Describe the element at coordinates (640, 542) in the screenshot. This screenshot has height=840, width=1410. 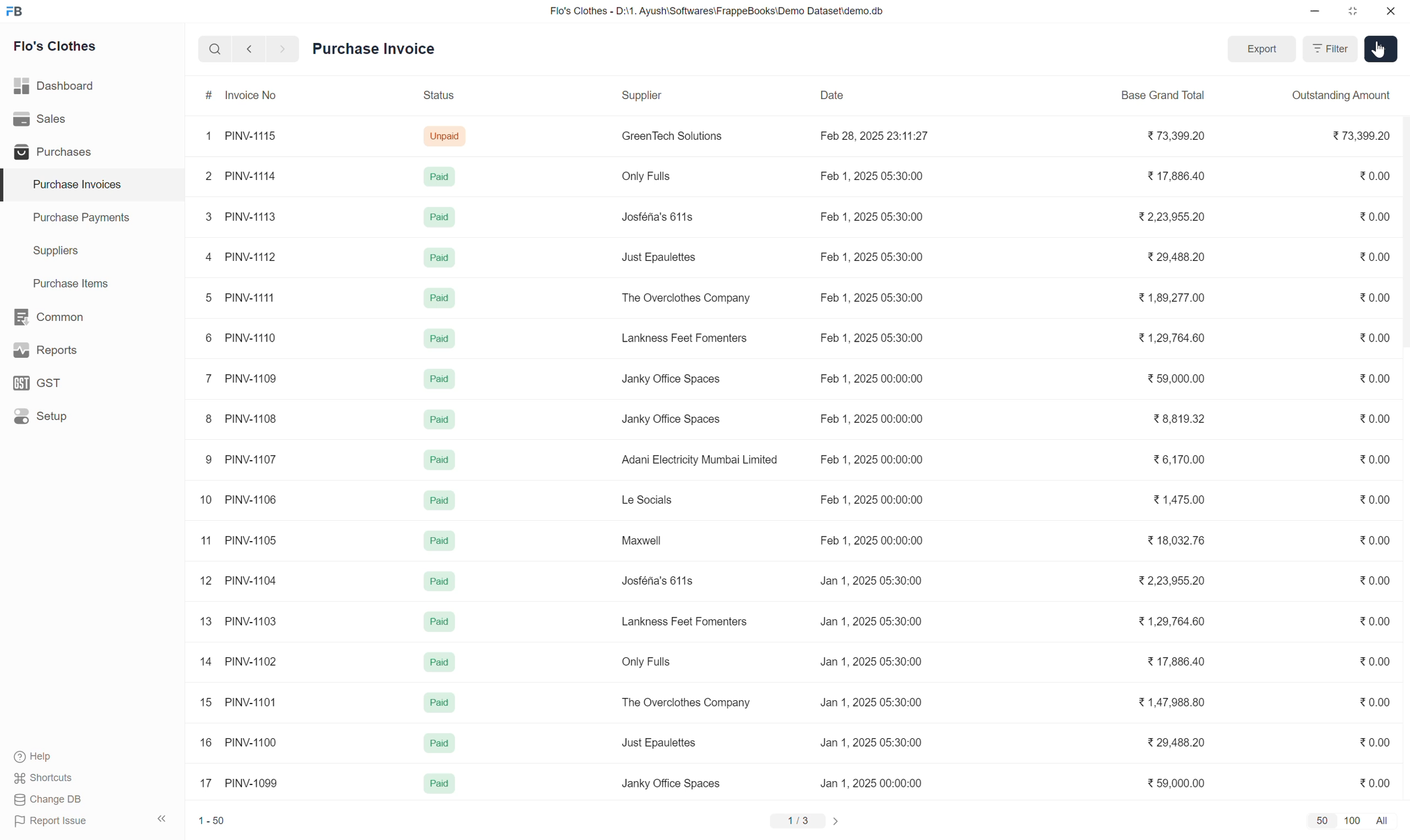
I see `Maxwell` at that location.